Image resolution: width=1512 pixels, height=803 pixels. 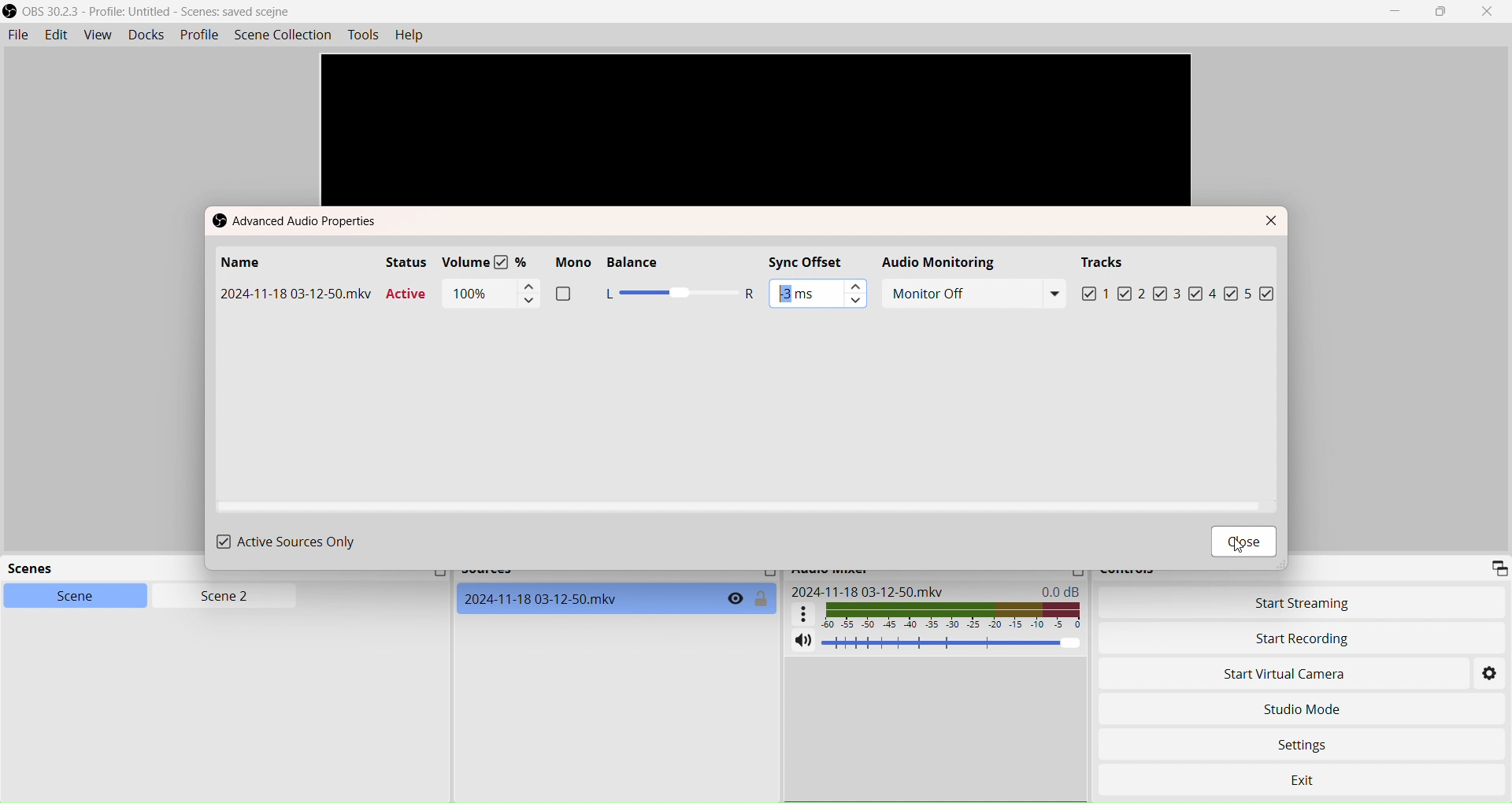 What do you see at coordinates (976, 294) in the screenshot?
I see `Monitor off` at bounding box center [976, 294].